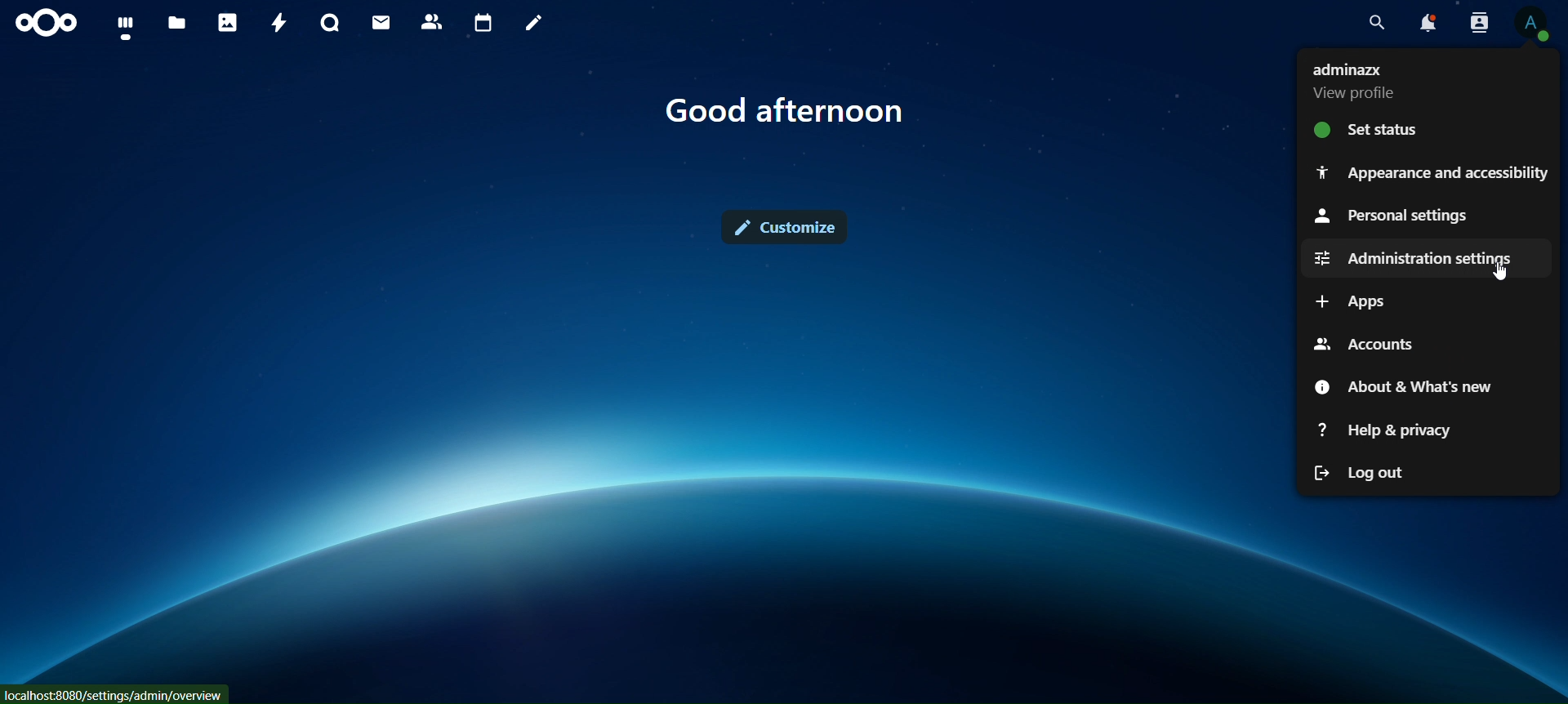 Image resolution: width=1568 pixels, height=704 pixels. I want to click on contacts, so click(433, 21).